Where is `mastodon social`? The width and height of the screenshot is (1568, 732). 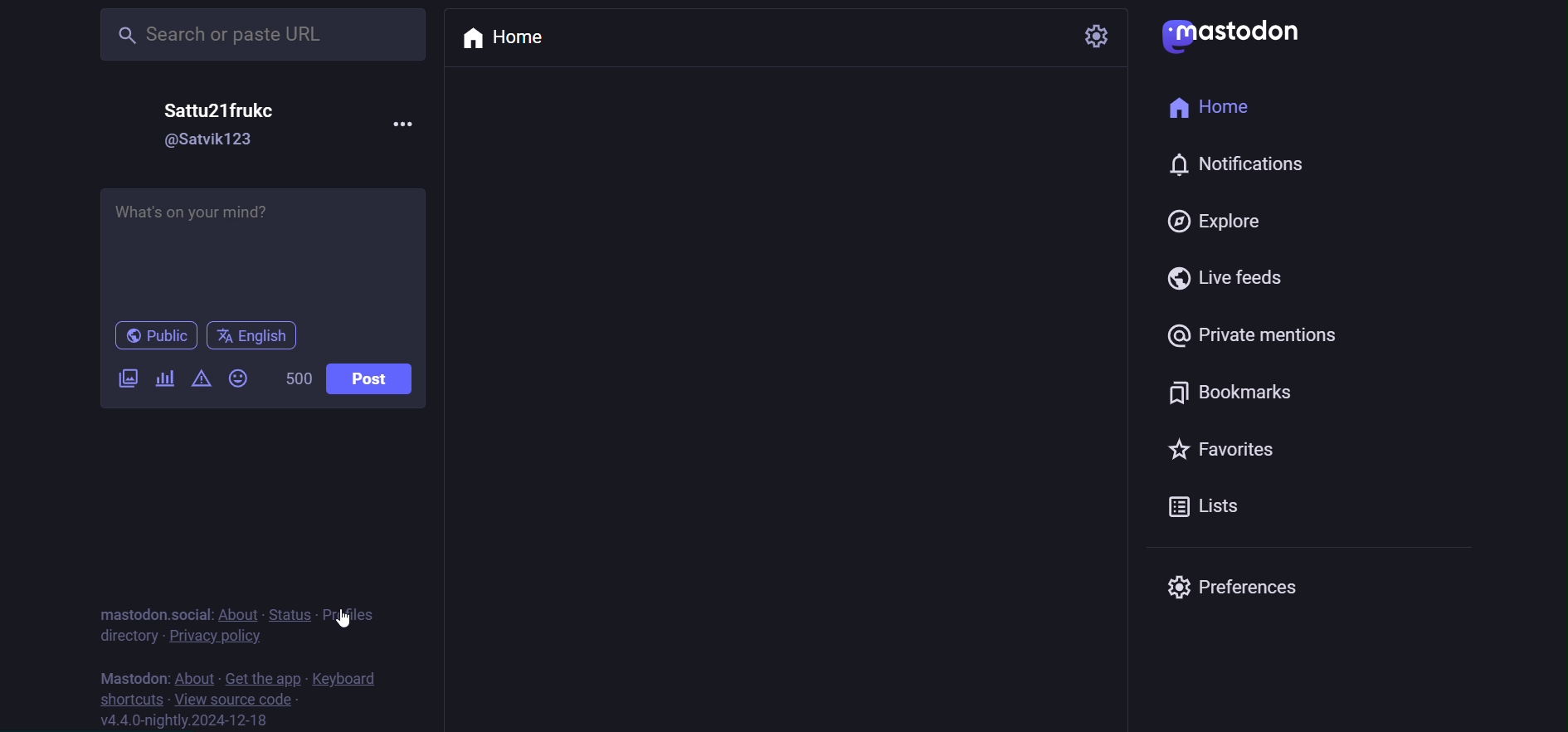 mastodon social is located at coordinates (151, 611).